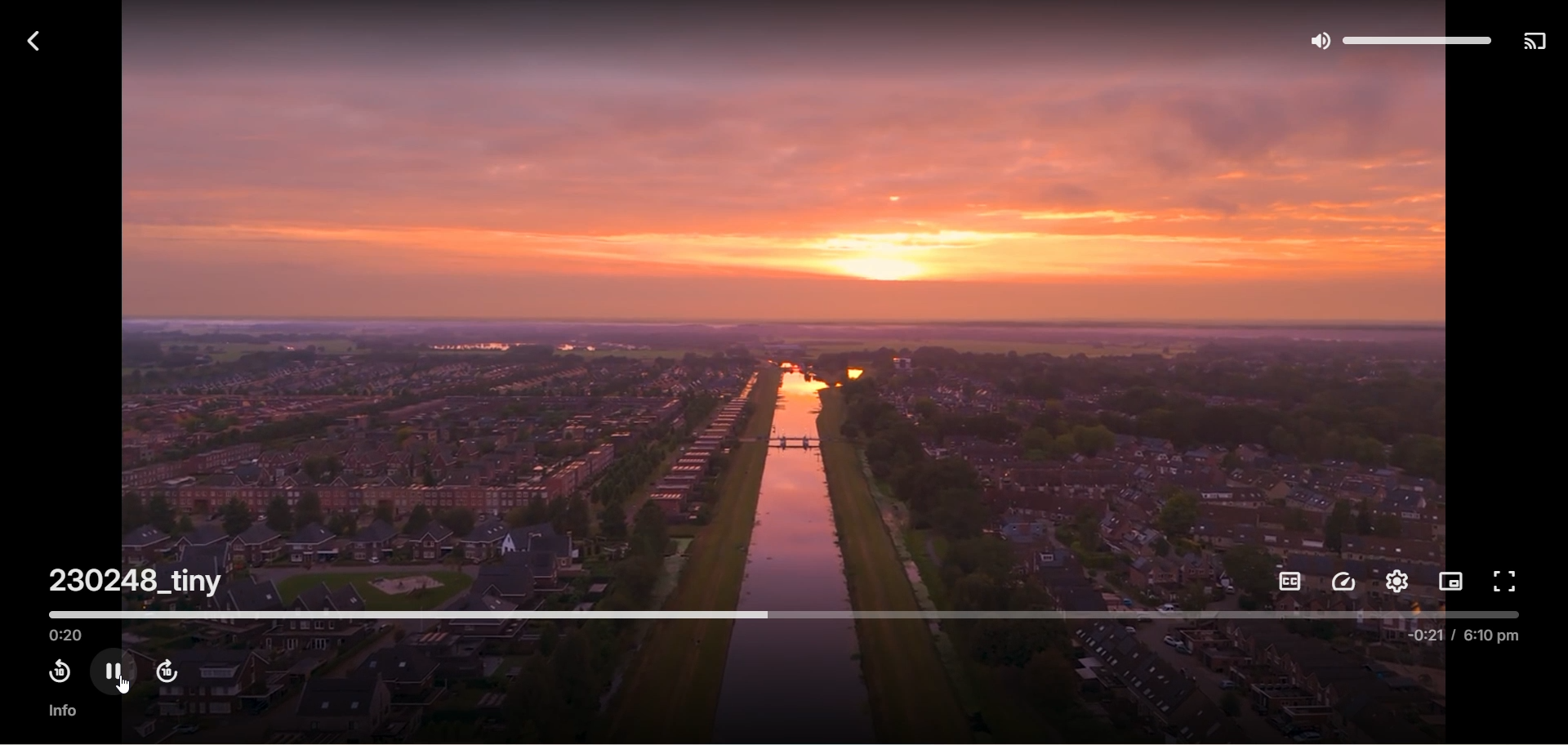 Image resolution: width=1568 pixels, height=745 pixels. Describe the element at coordinates (126, 684) in the screenshot. I see `cursor` at that location.